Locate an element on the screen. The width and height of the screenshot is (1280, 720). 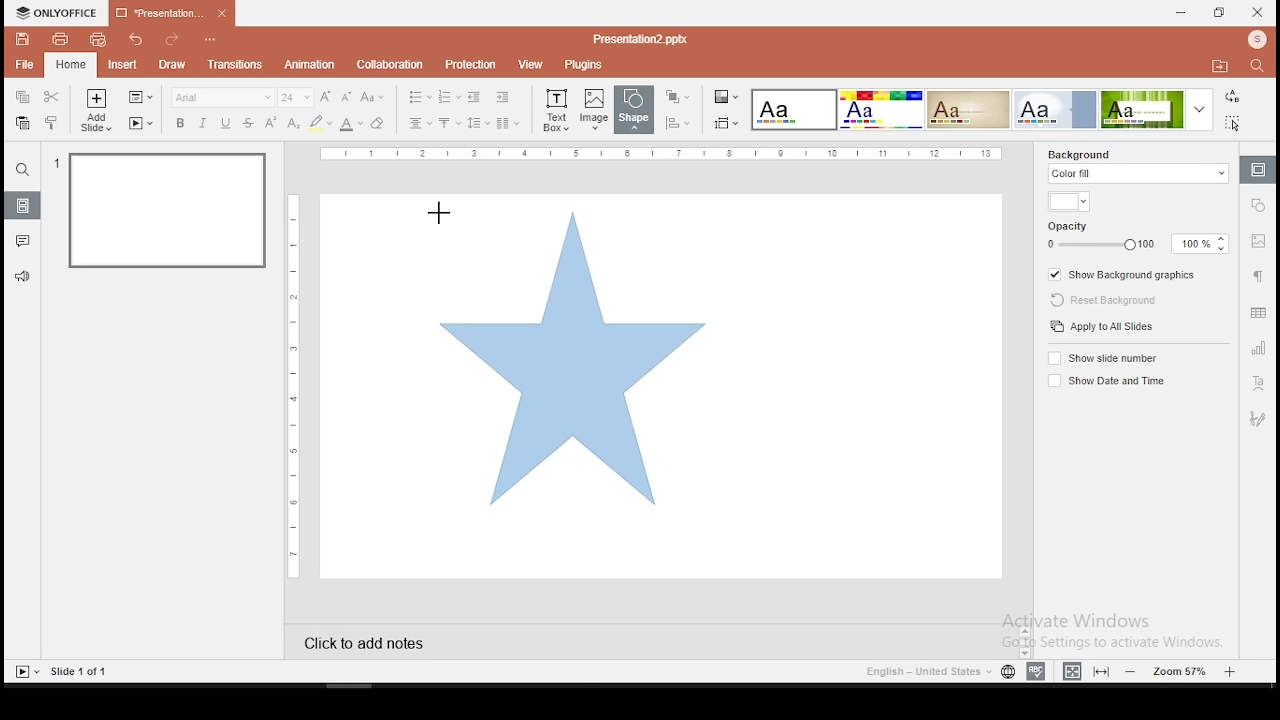
underline is located at coordinates (226, 124).